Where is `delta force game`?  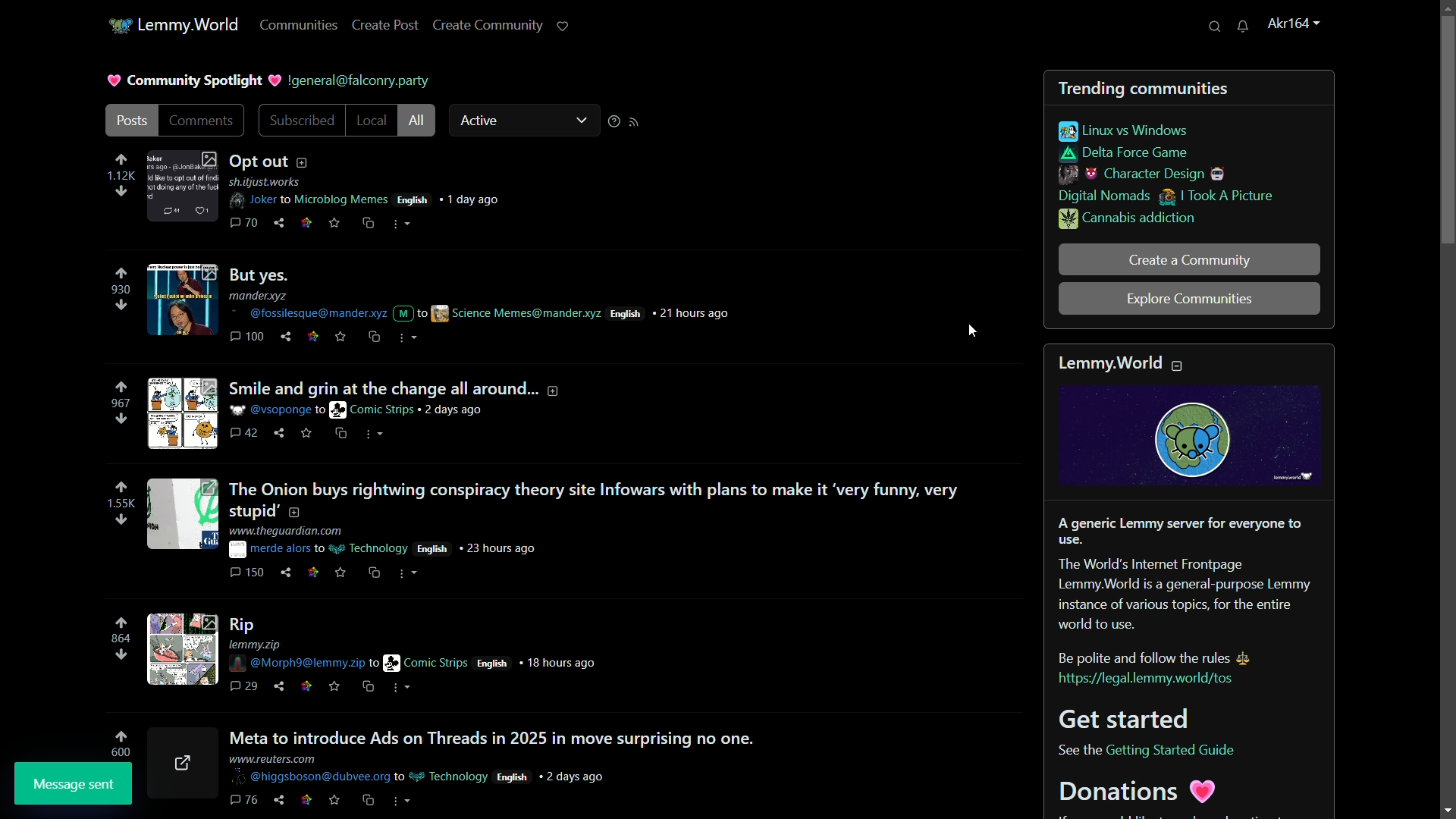 delta force game is located at coordinates (1122, 154).